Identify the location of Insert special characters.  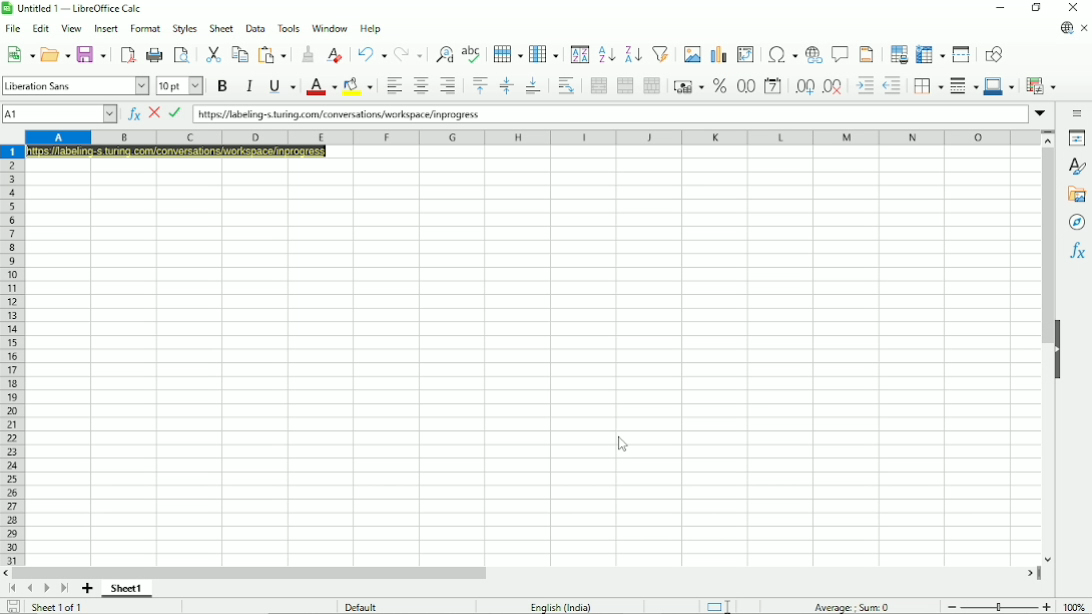
(781, 55).